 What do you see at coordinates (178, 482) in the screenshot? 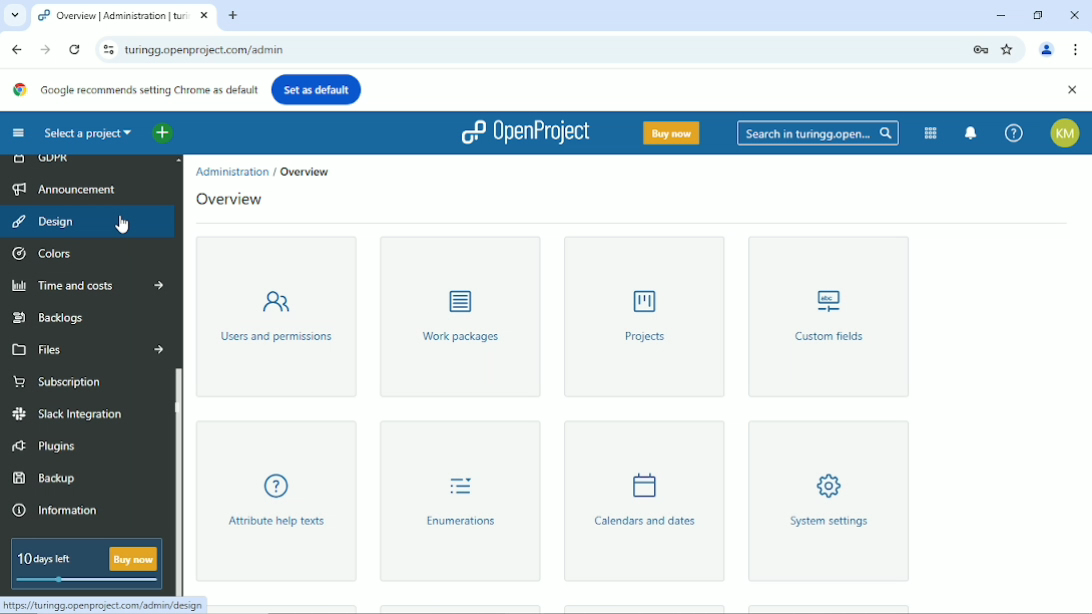
I see `vertical scrollbar` at bounding box center [178, 482].